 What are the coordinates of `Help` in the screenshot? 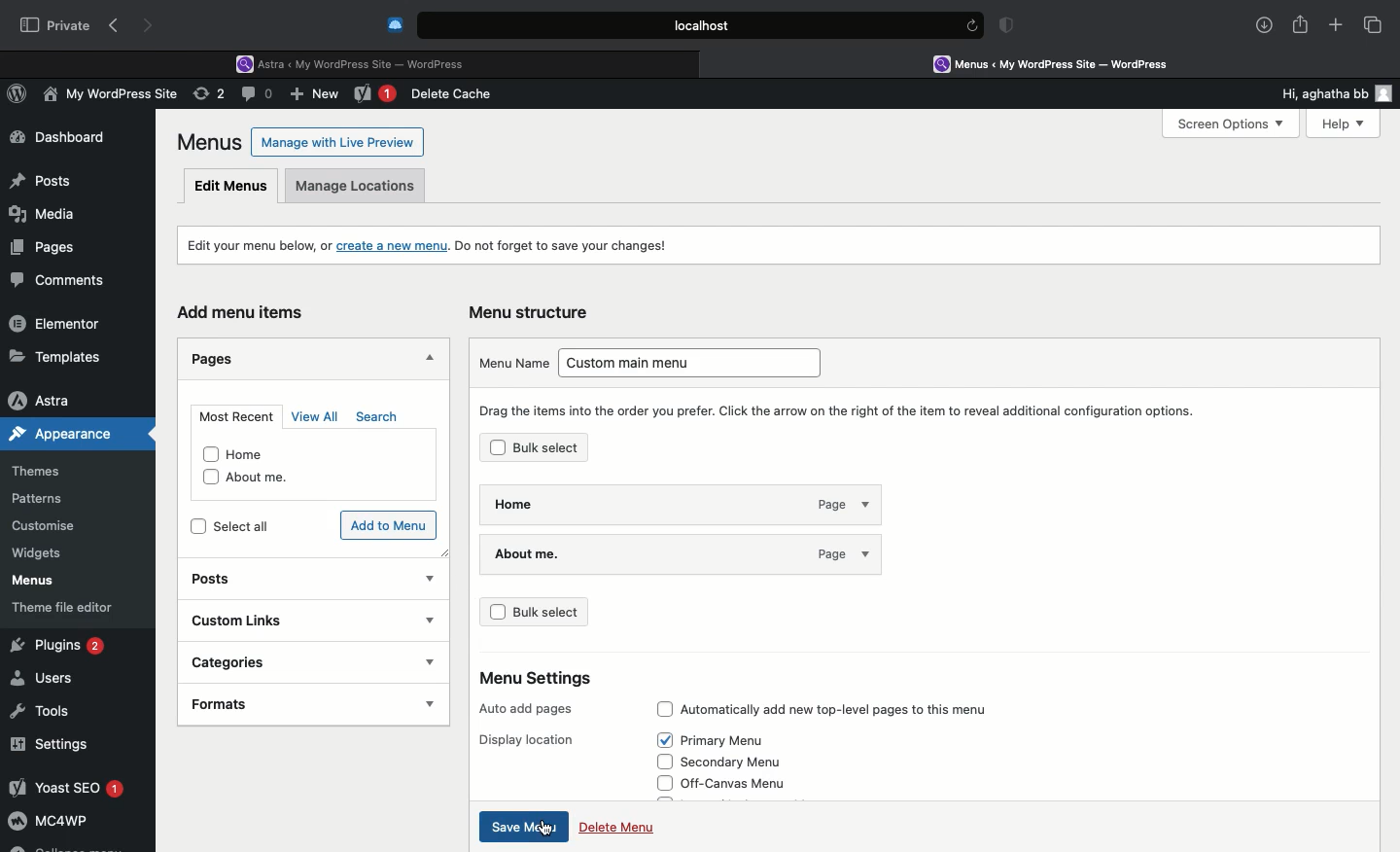 It's located at (1335, 124).